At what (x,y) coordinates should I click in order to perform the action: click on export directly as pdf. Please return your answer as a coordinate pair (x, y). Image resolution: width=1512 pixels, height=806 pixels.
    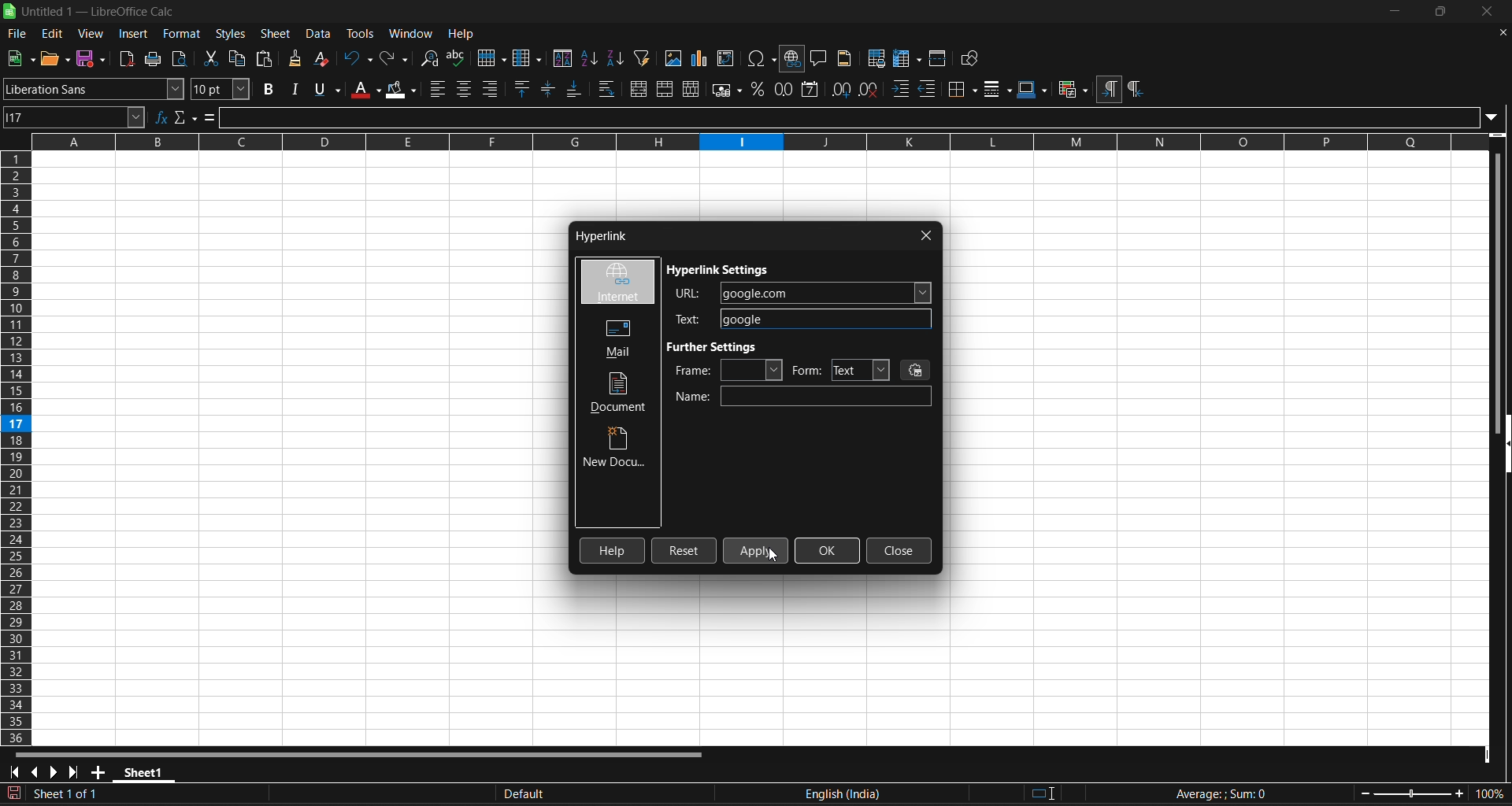
    Looking at the image, I should click on (128, 58).